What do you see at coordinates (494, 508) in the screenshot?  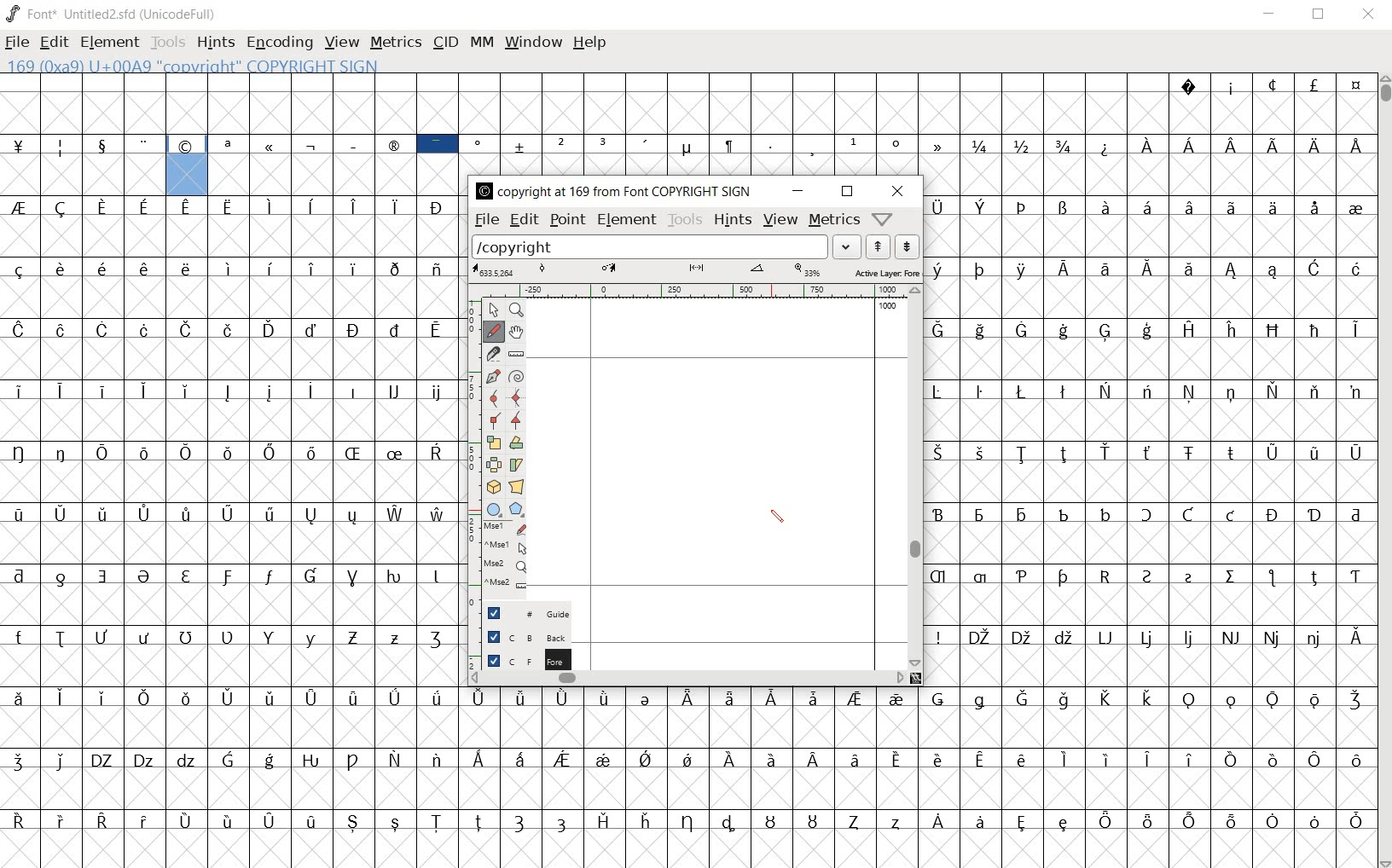 I see `rectangle or ellipse` at bounding box center [494, 508].